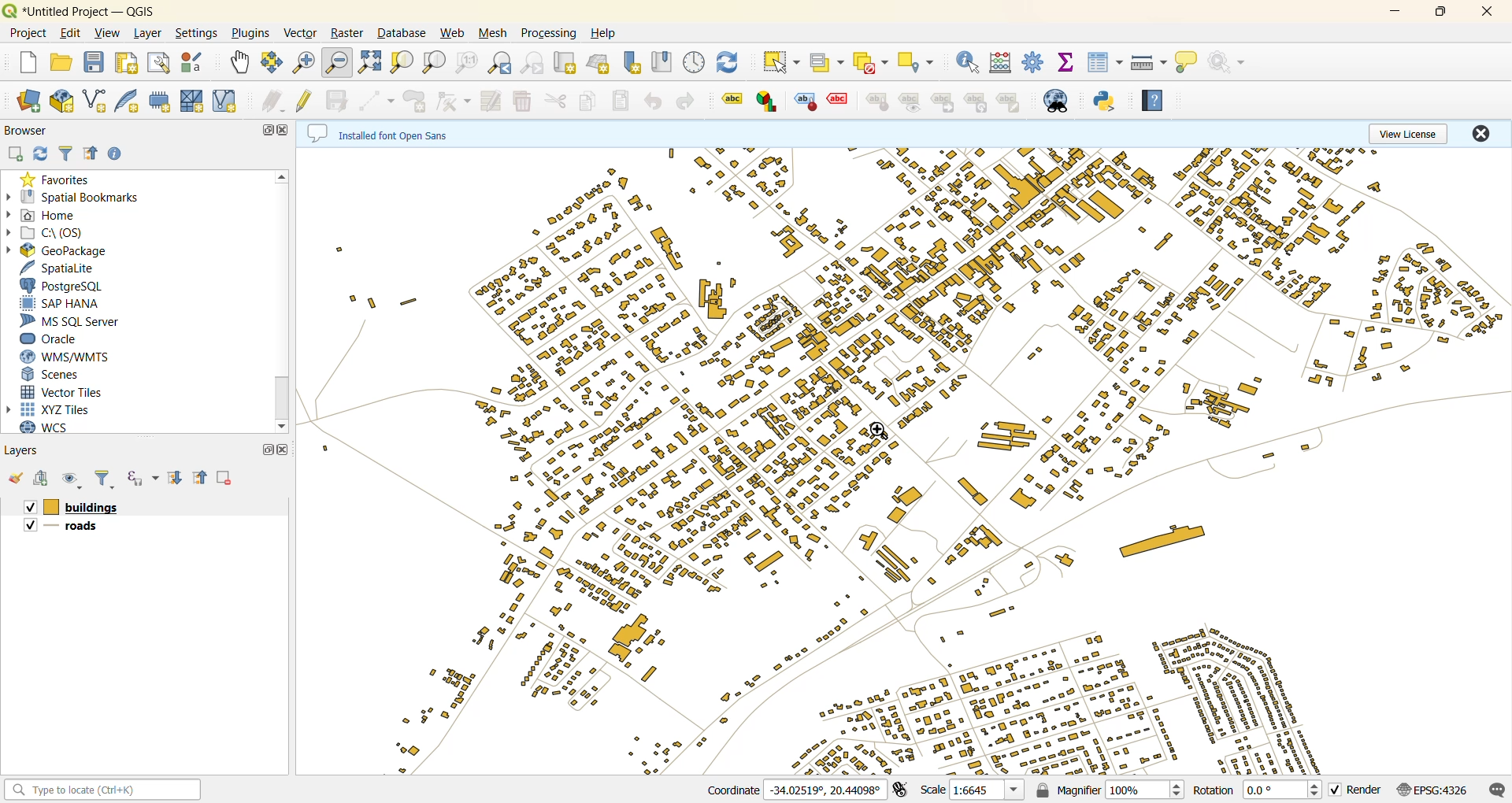 The height and width of the screenshot is (803, 1512). What do you see at coordinates (601, 65) in the screenshot?
I see `new 3d map` at bounding box center [601, 65].